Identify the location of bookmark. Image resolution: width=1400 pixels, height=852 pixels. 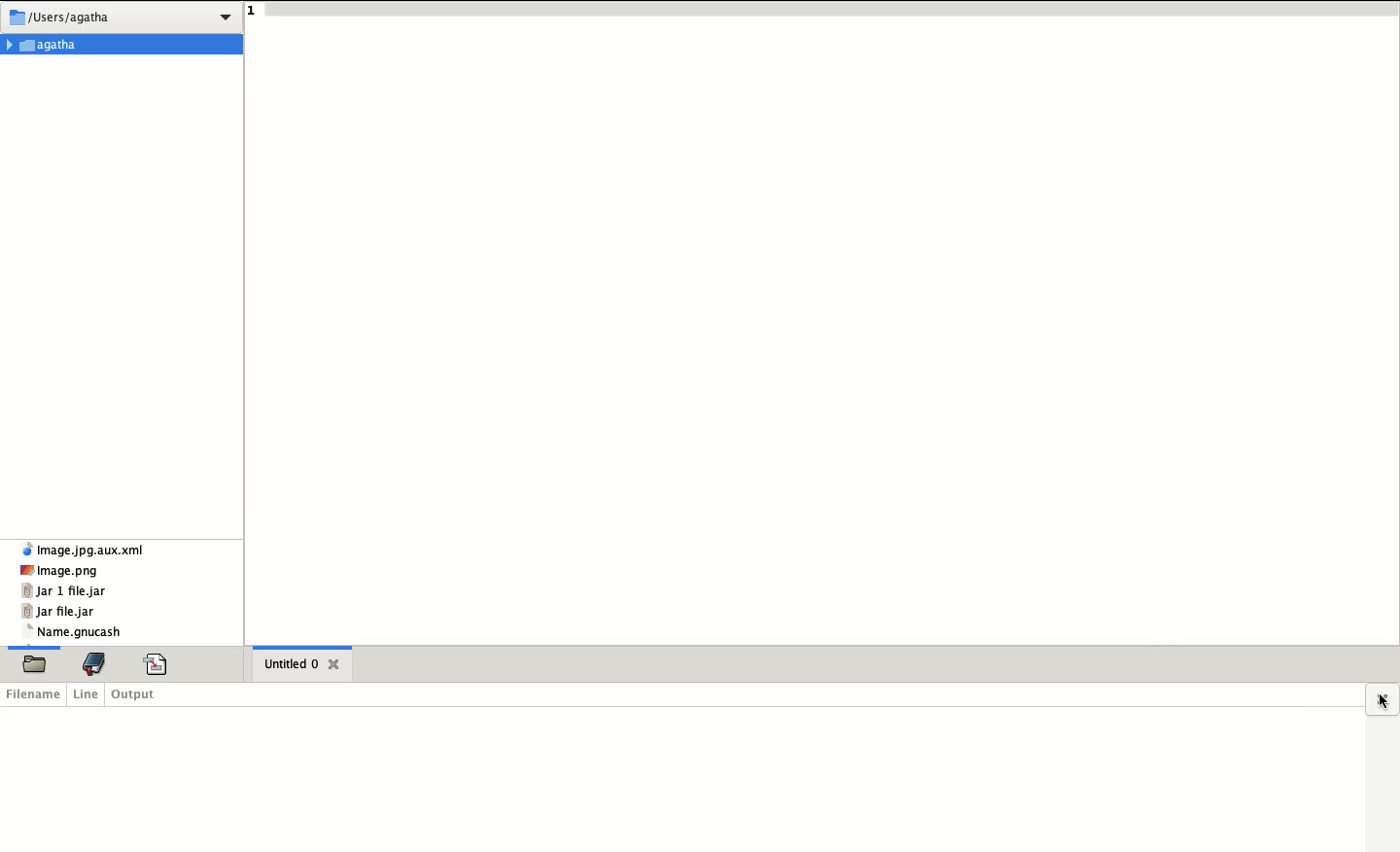
(96, 664).